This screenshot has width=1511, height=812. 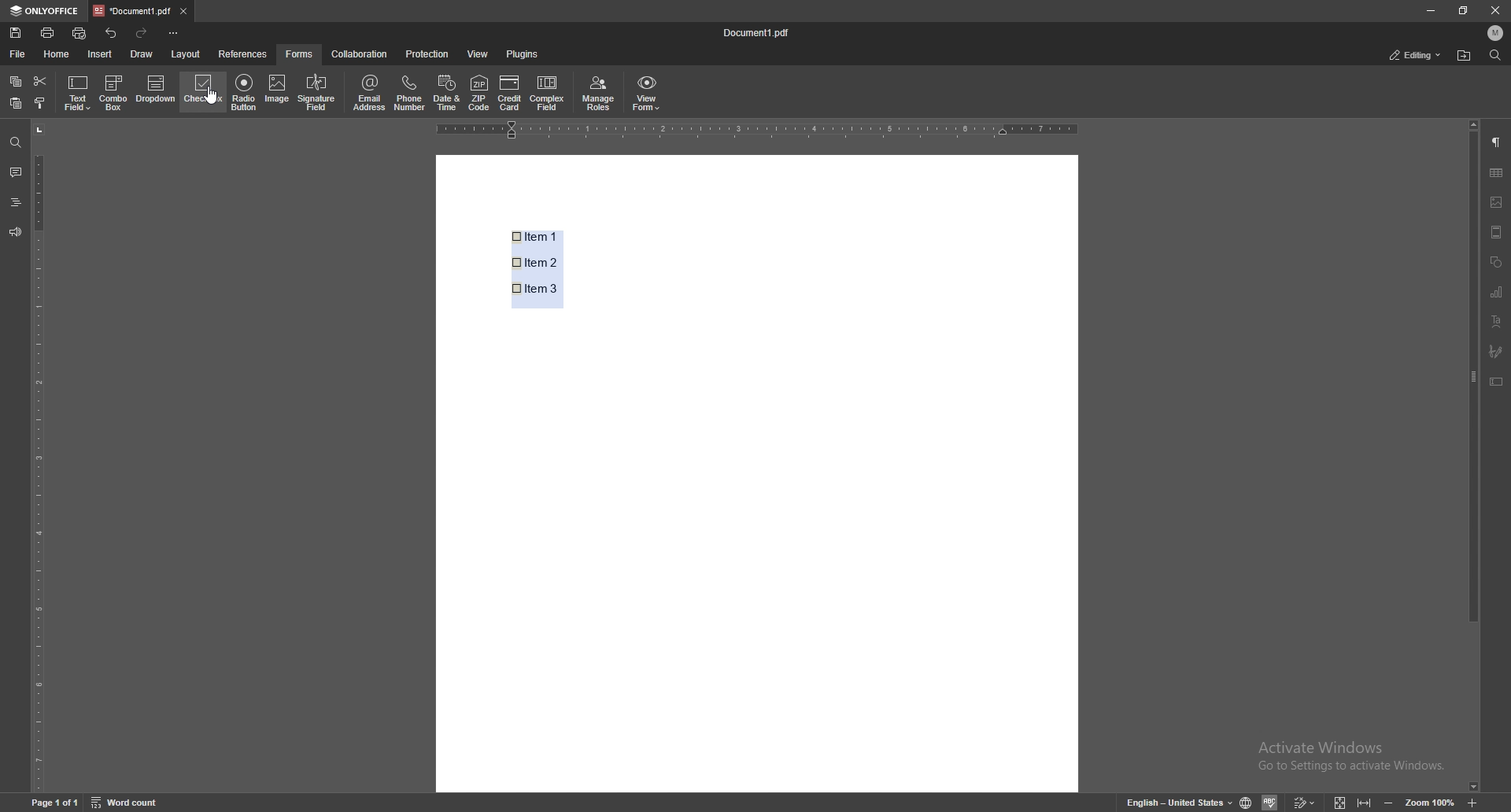 What do you see at coordinates (1429, 11) in the screenshot?
I see `minimize` at bounding box center [1429, 11].